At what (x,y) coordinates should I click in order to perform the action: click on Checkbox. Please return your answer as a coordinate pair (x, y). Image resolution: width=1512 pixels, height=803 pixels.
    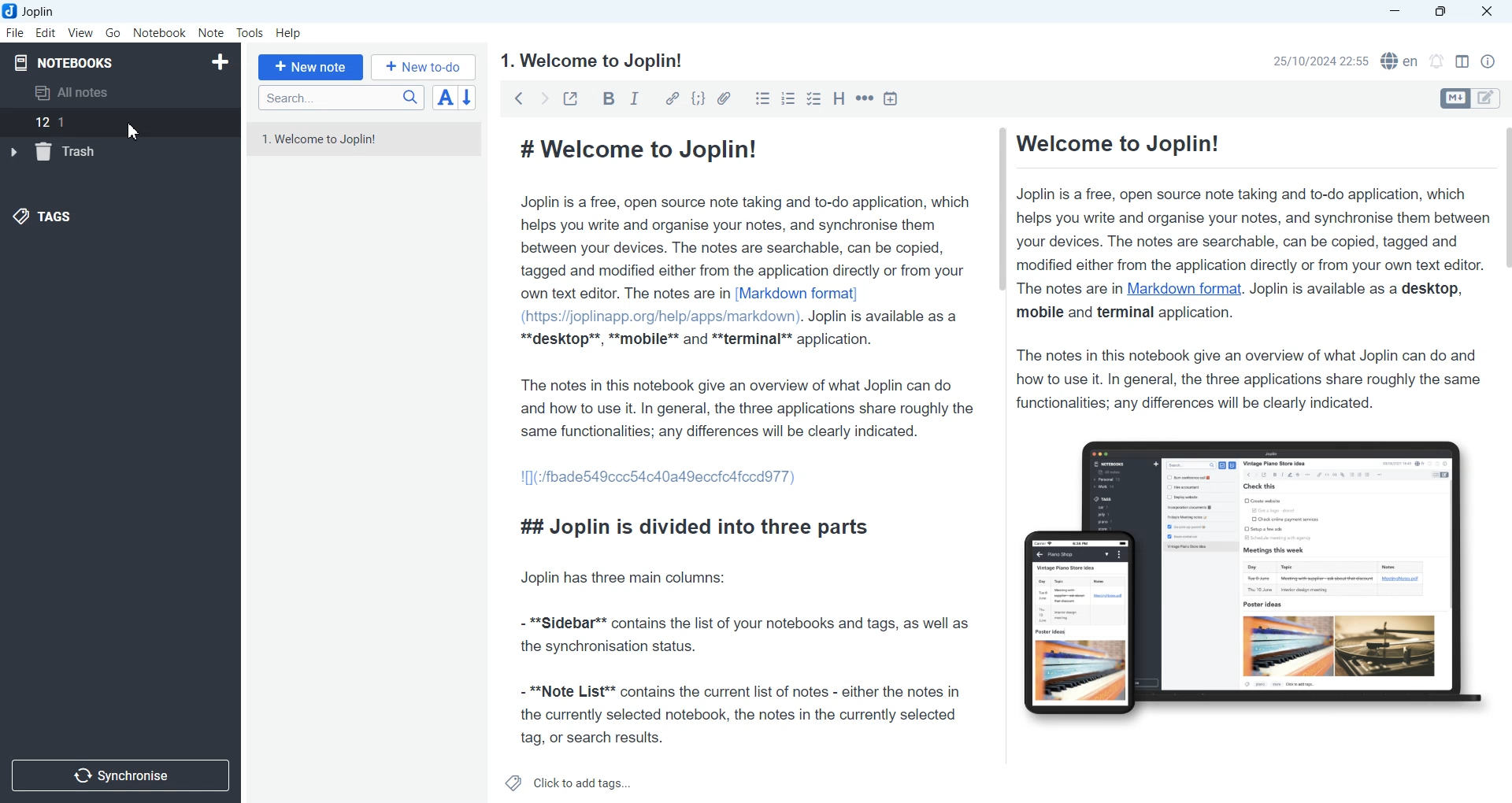
    Looking at the image, I should click on (818, 98).